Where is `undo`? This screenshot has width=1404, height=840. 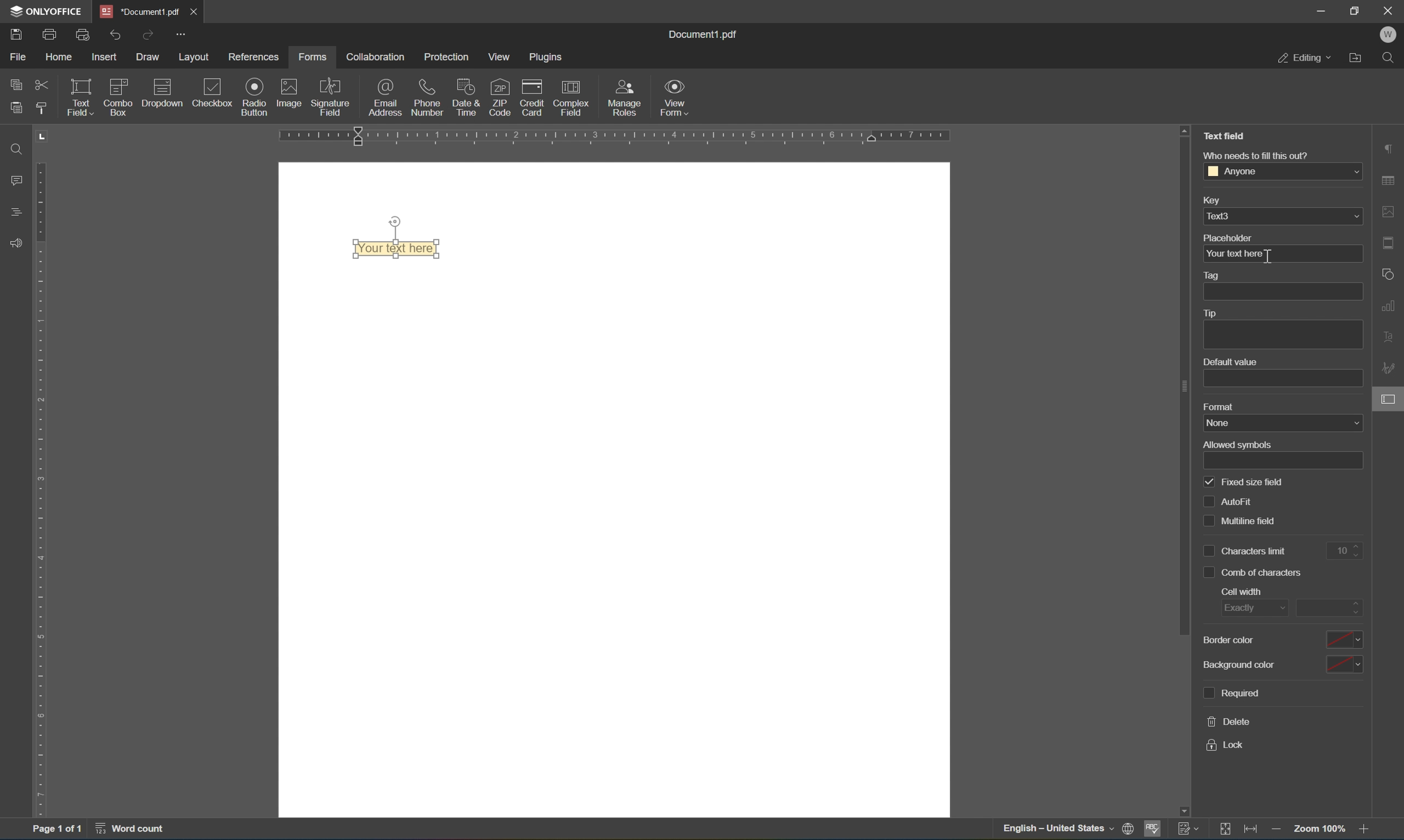 undo is located at coordinates (116, 36).